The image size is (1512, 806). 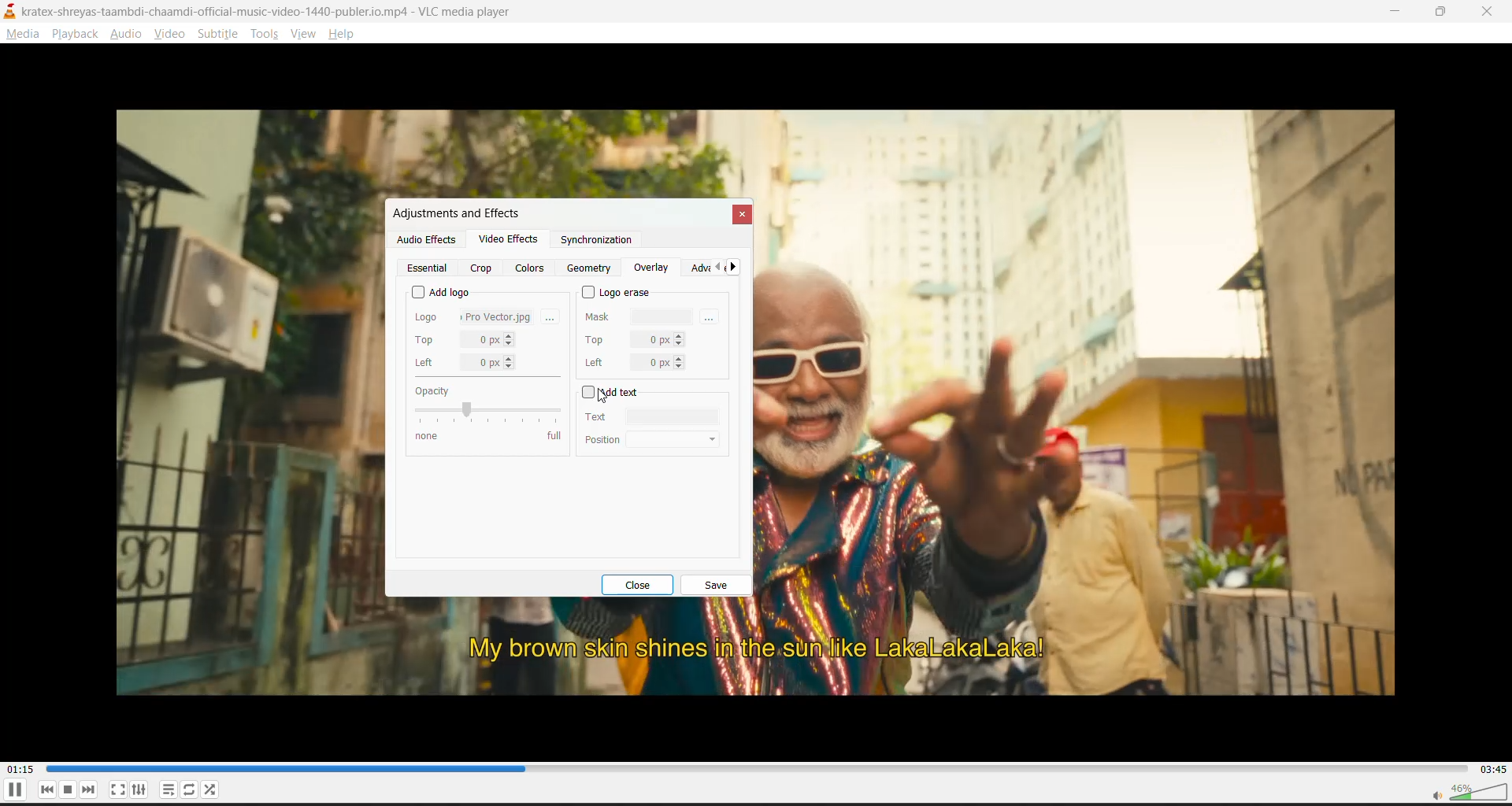 I want to click on add text, so click(x=613, y=394).